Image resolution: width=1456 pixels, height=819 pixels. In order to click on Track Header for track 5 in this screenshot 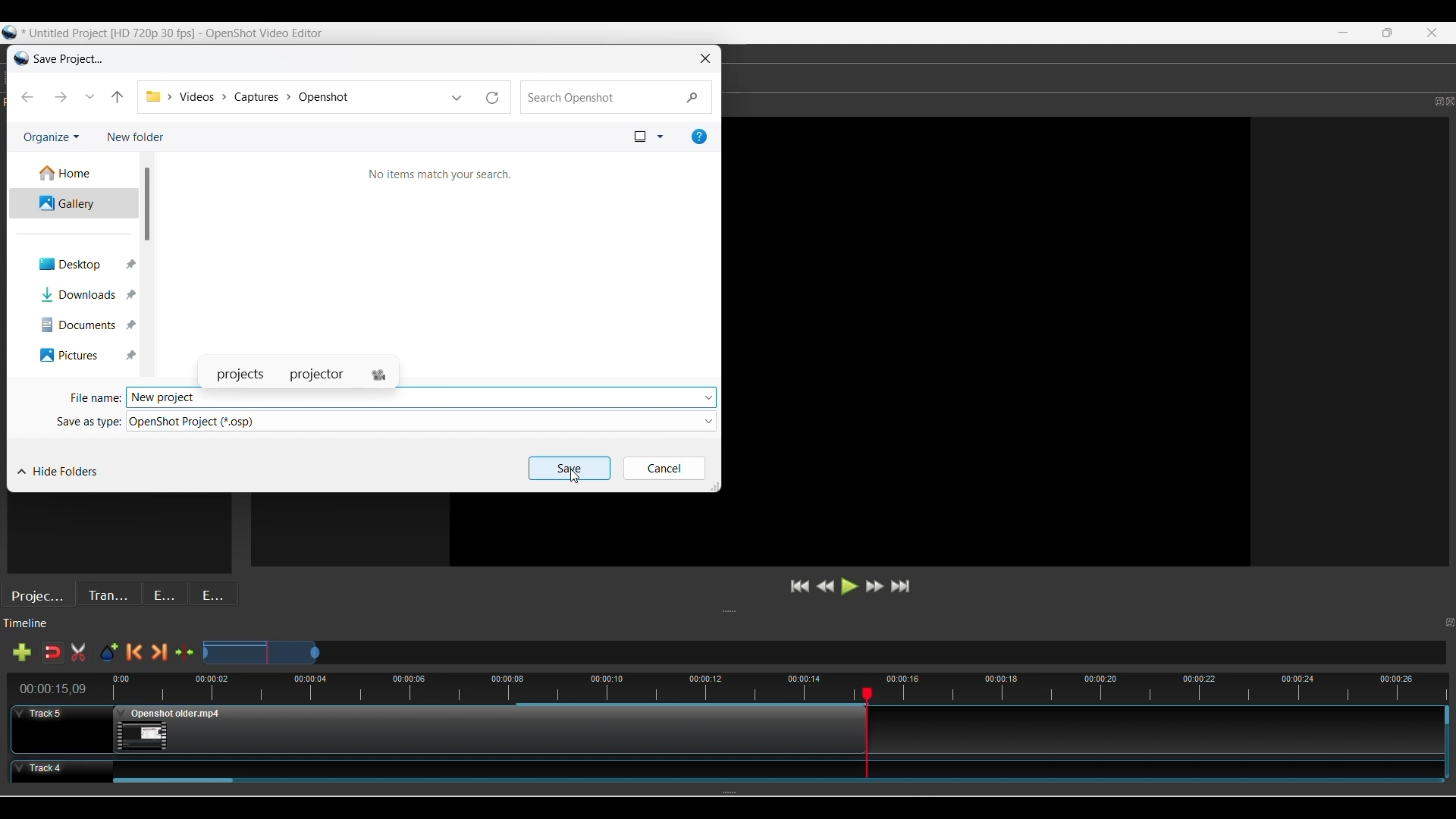, I will do `click(61, 729)`.